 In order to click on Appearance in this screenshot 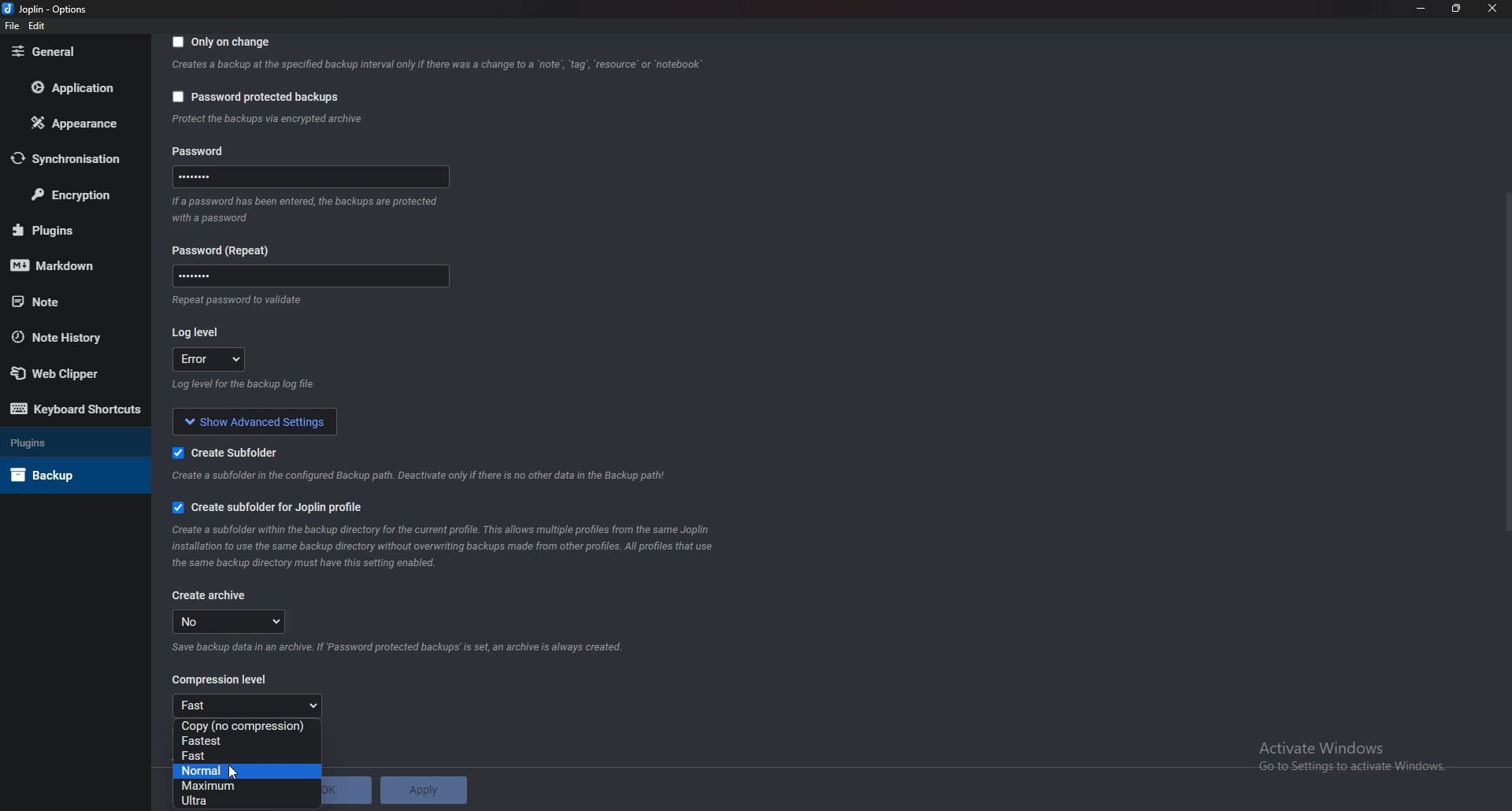, I will do `click(70, 124)`.